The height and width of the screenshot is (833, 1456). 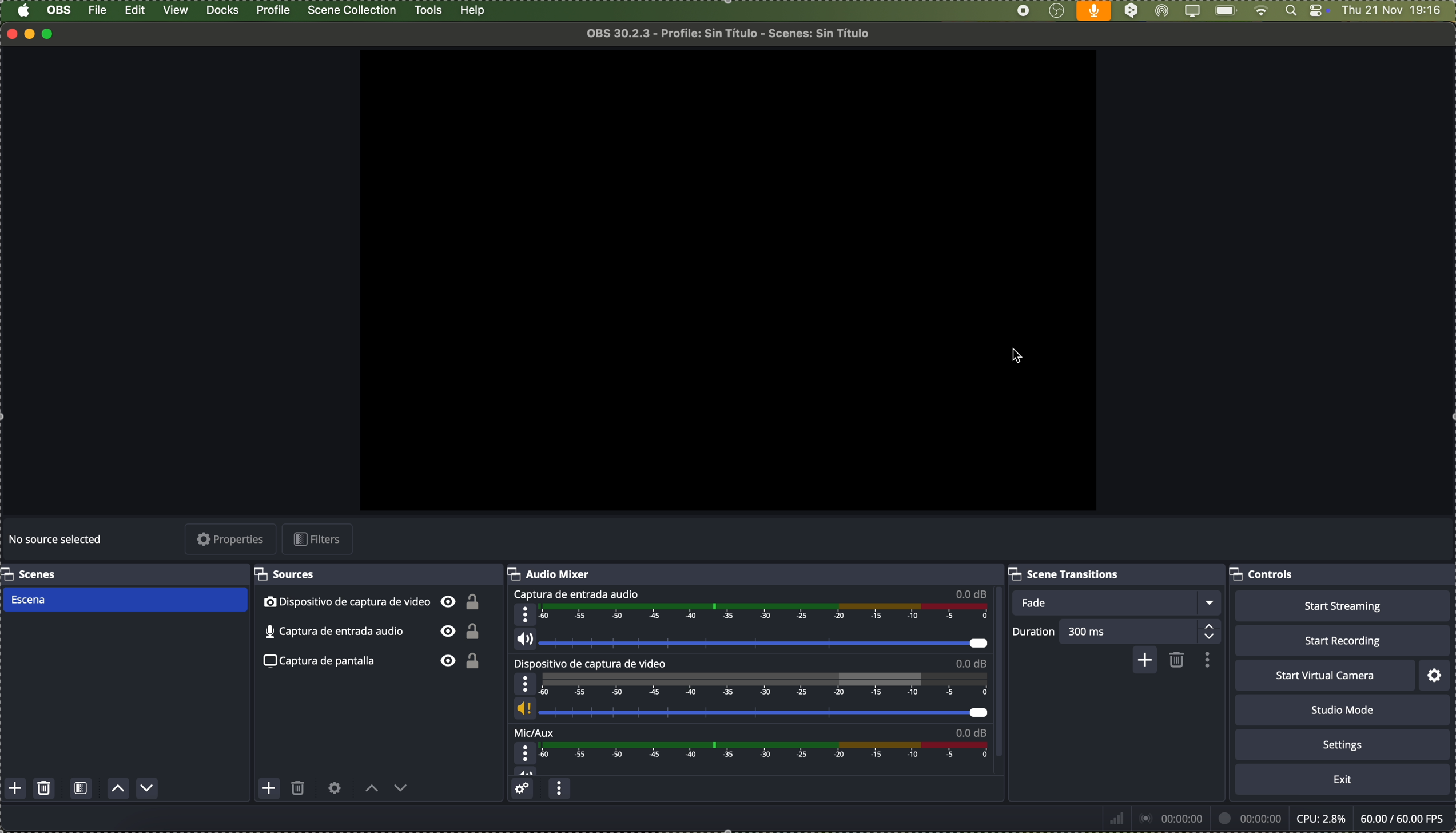 I want to click on Apple icon, so click(x=23, y=11).